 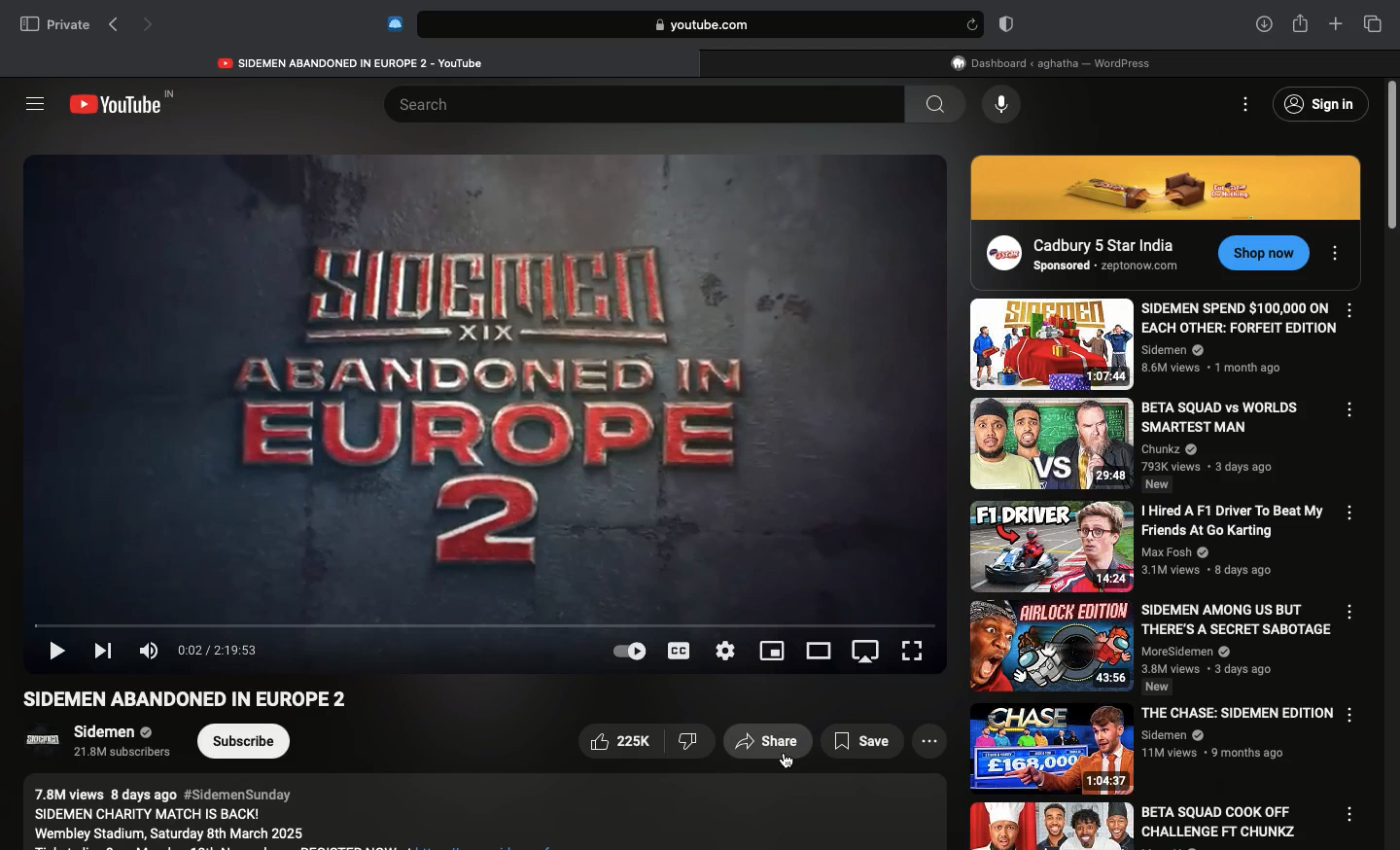 I want to click on Badge, so click(x=1003, y=25).